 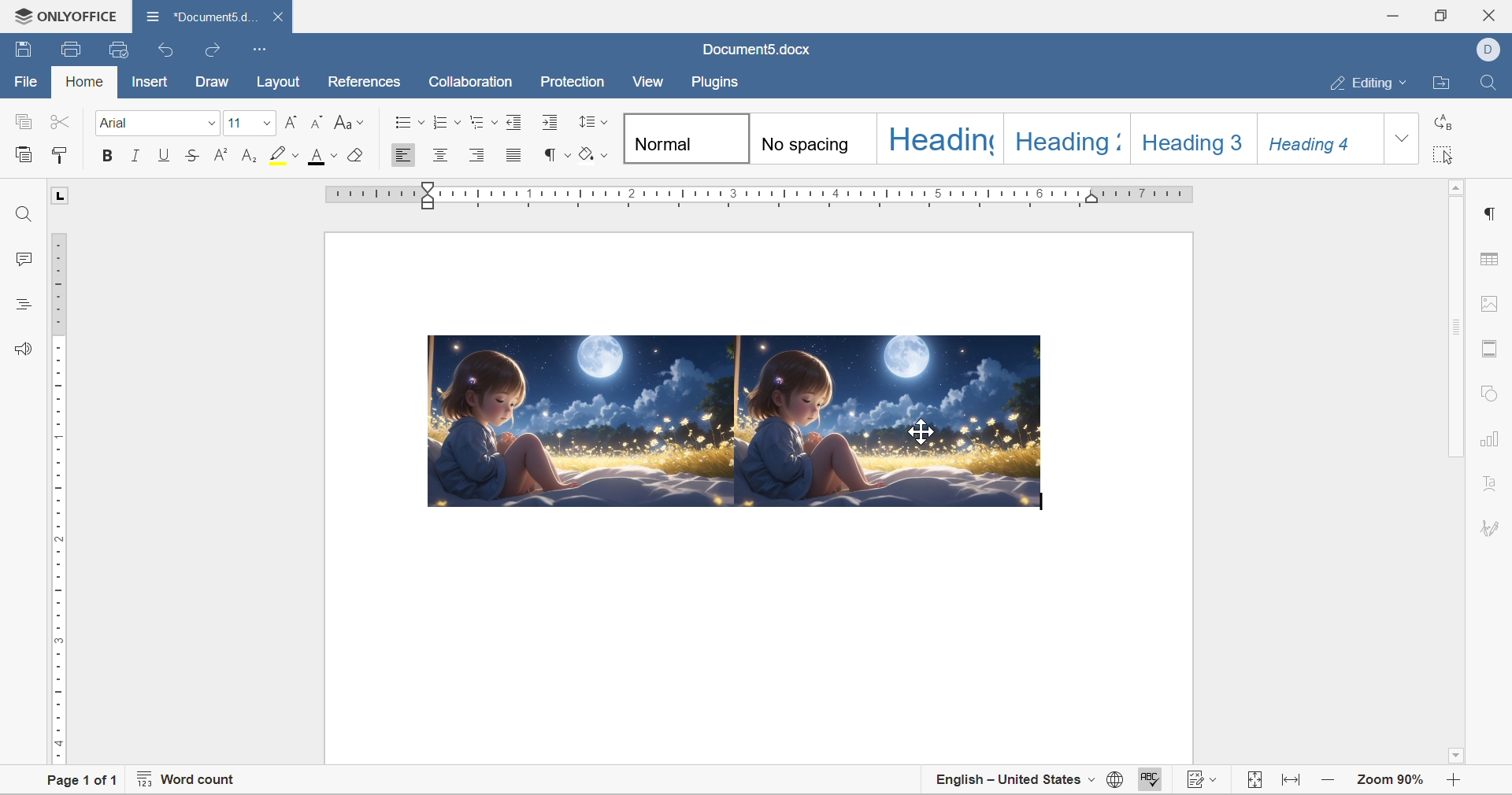 I want to click on view, so click(x=652, y=81).